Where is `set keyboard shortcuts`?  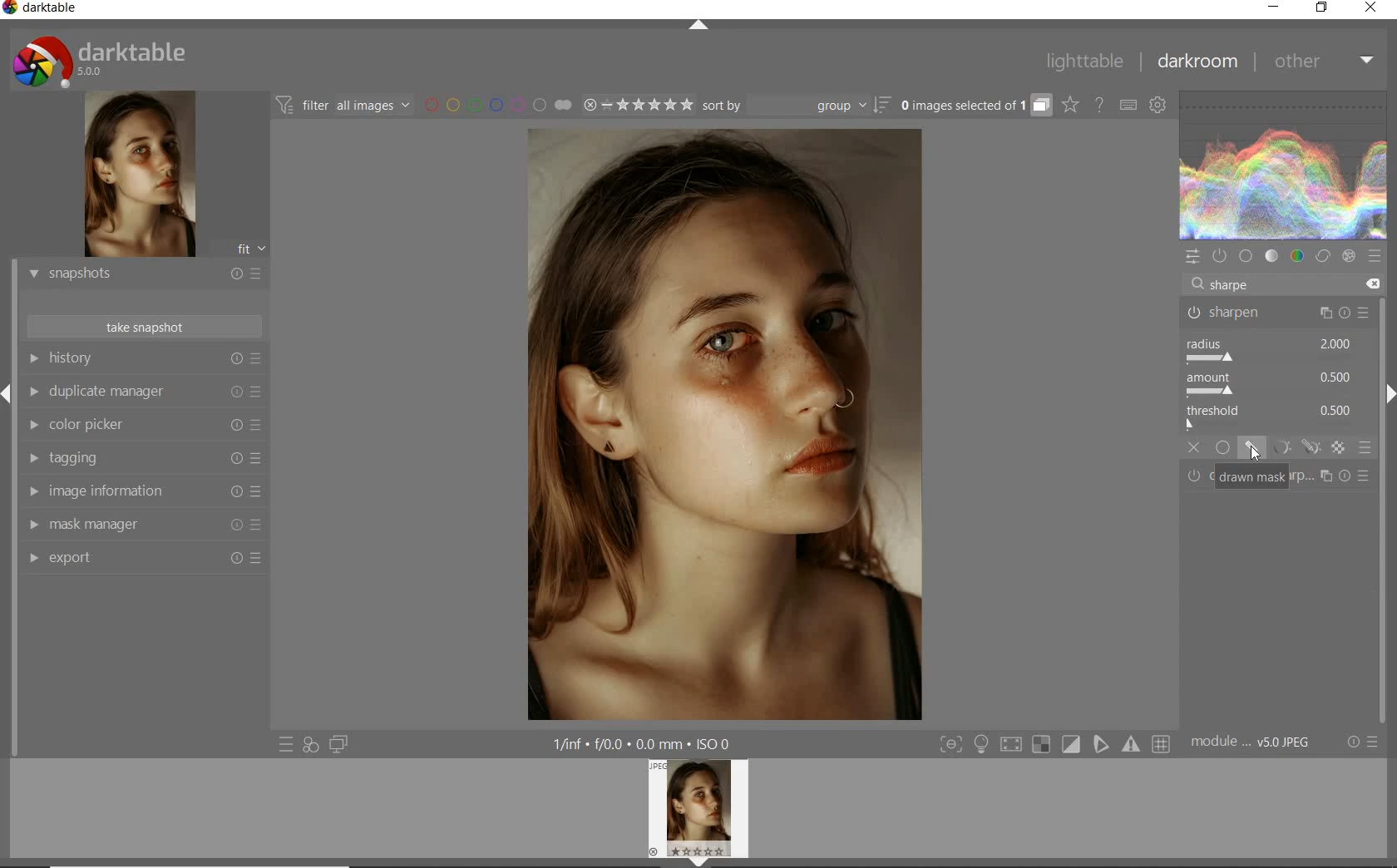
set keyboard shortcuts is located at coordinates (1128, 106).